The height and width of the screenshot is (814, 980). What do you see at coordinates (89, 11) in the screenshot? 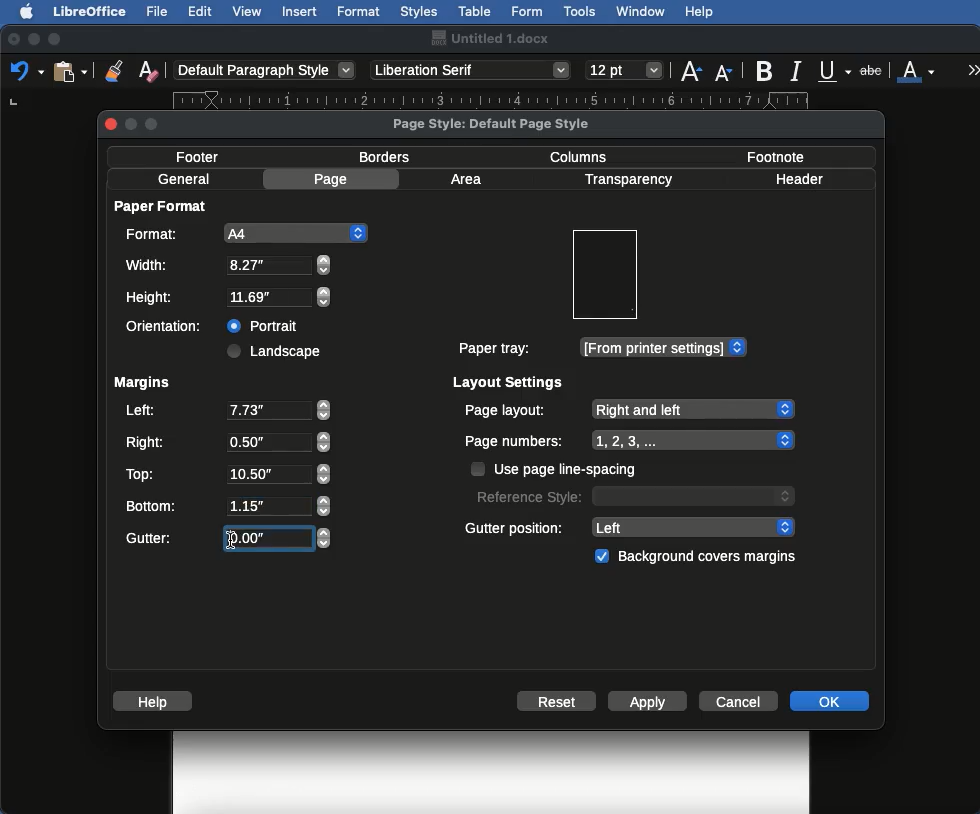
I see `LibreOffice` at bounding box center [89, 11].